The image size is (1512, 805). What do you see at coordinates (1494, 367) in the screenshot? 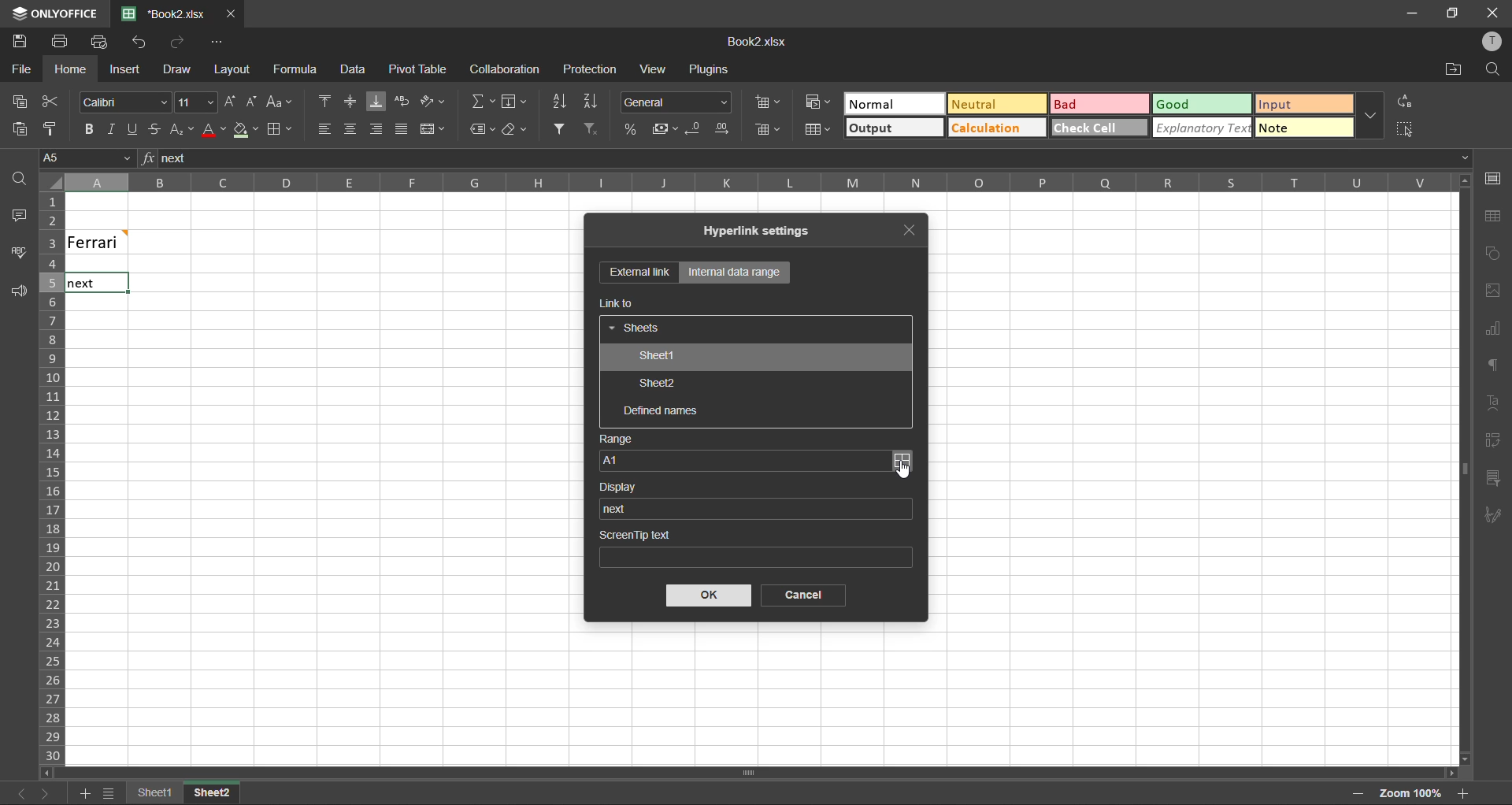
I see `paragraph` at bounding box center [1494, 367].